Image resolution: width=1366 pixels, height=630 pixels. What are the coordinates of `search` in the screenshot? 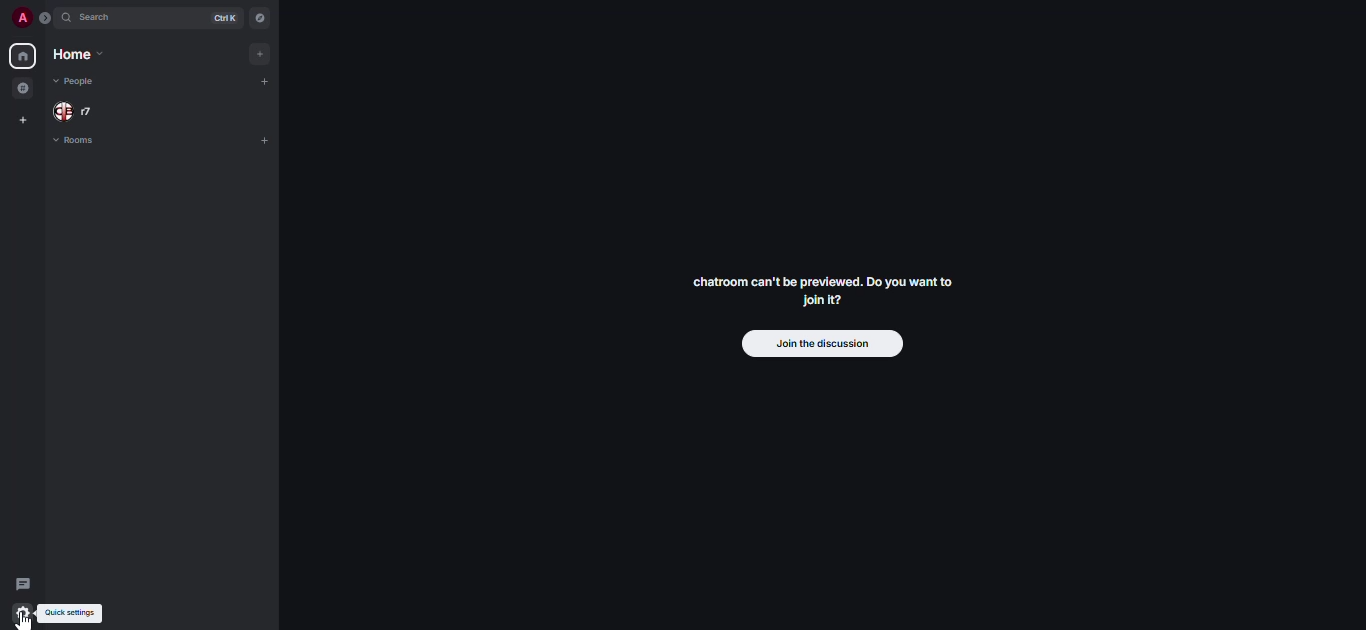 It's located at (109, 19).